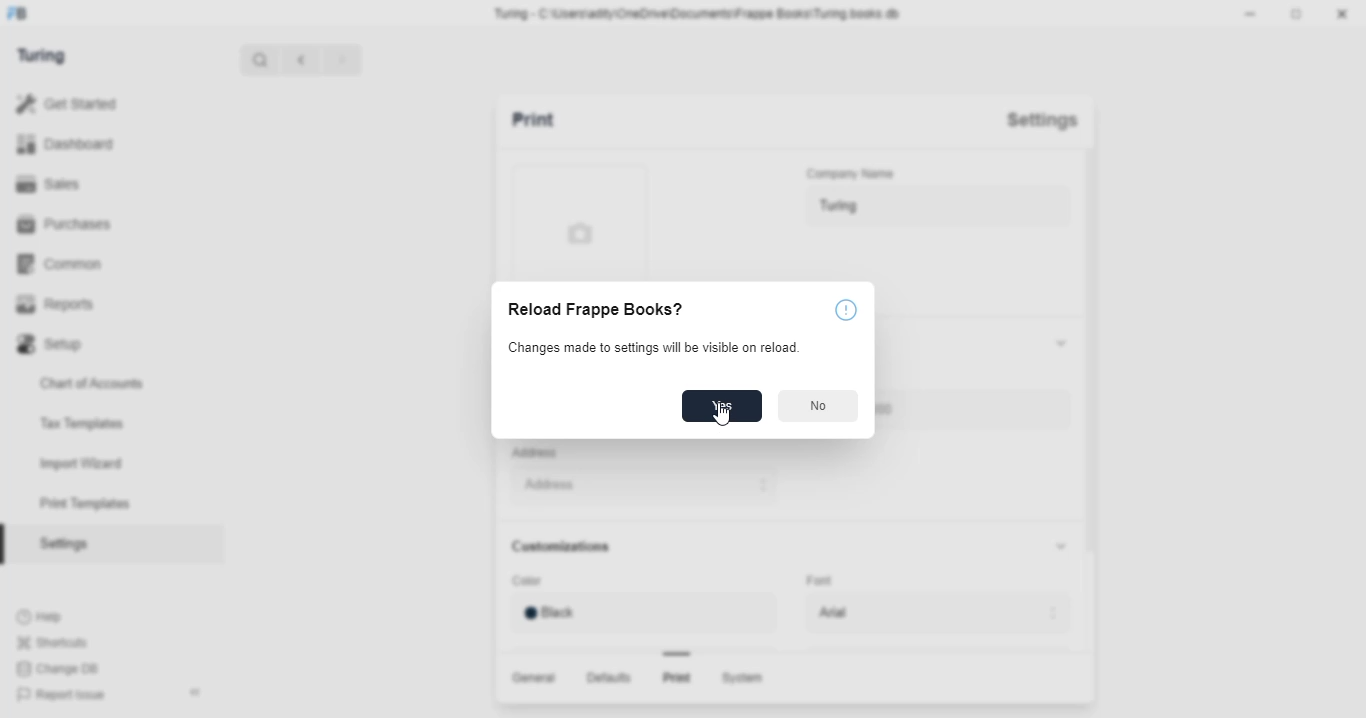  What do you see at coordinates (702, 14) in the screenshot?
I see `Turing - C:\Users\adity\OneDrive\Documents\Frappe Books\Turing books. db` at bounding box center [702, 14].